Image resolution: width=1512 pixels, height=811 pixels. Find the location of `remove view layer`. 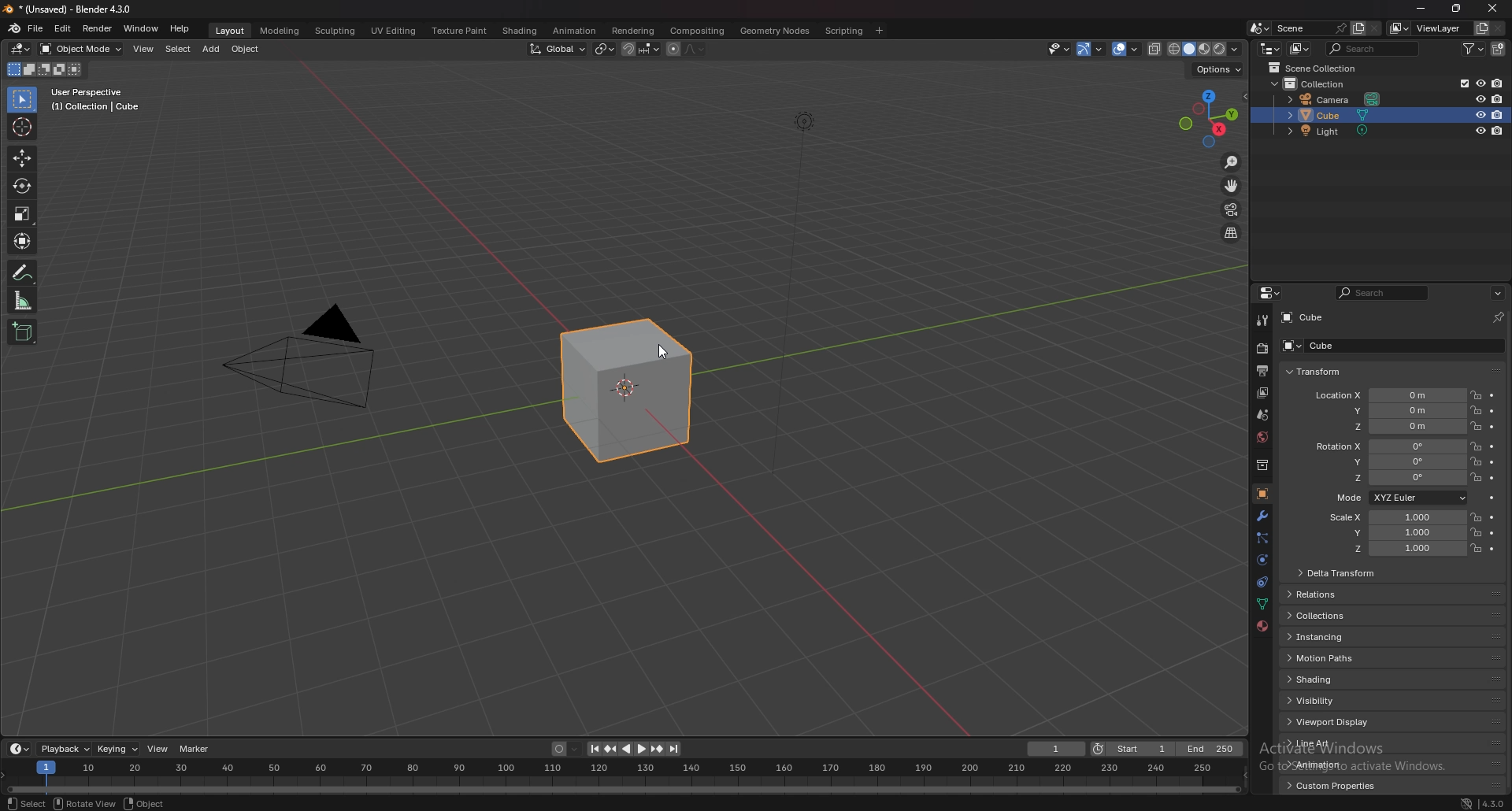

remove view layer is located at coordinates (1498, 28).